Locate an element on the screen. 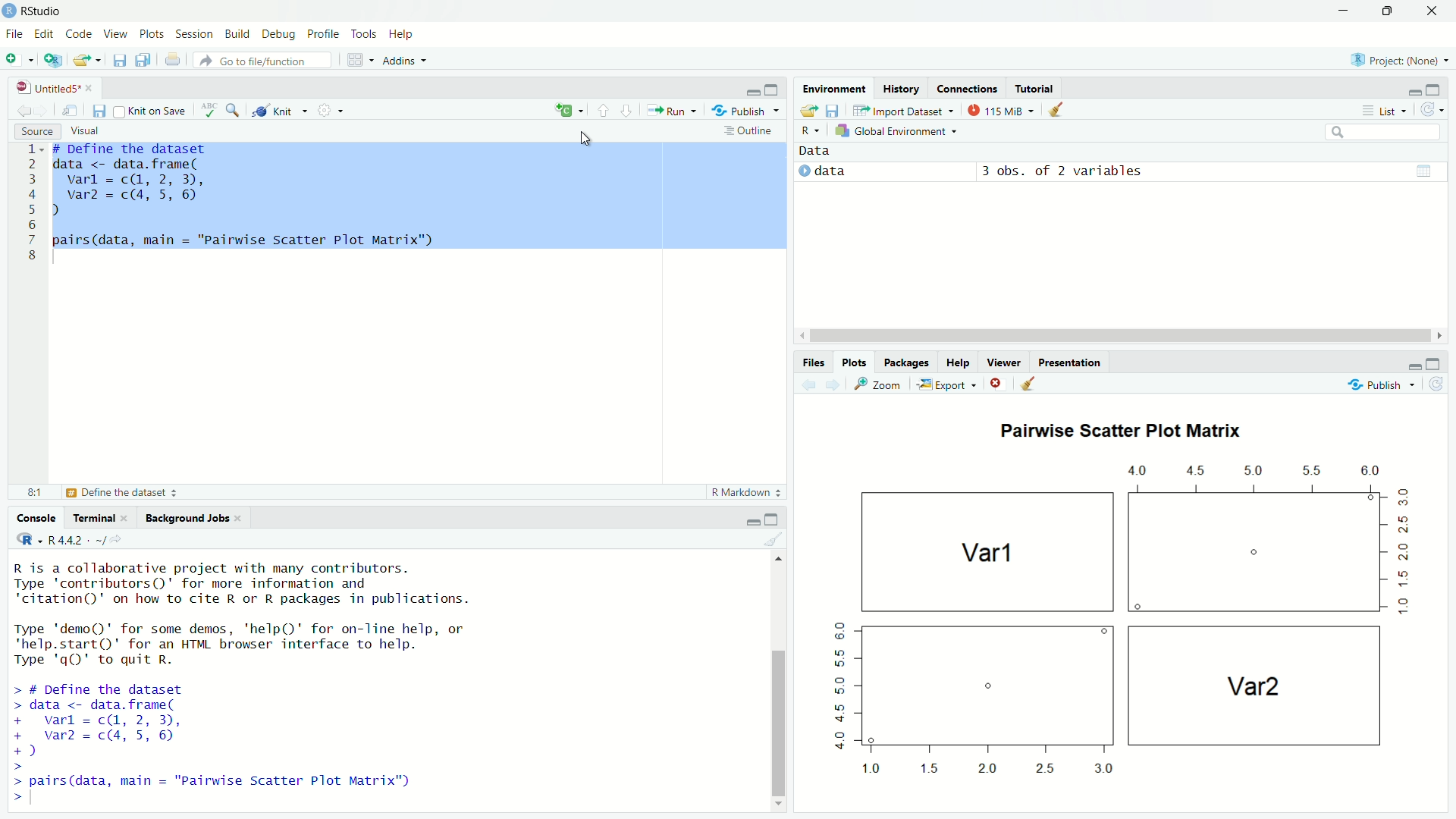  Load workspace is located at coordinates (807, 108).